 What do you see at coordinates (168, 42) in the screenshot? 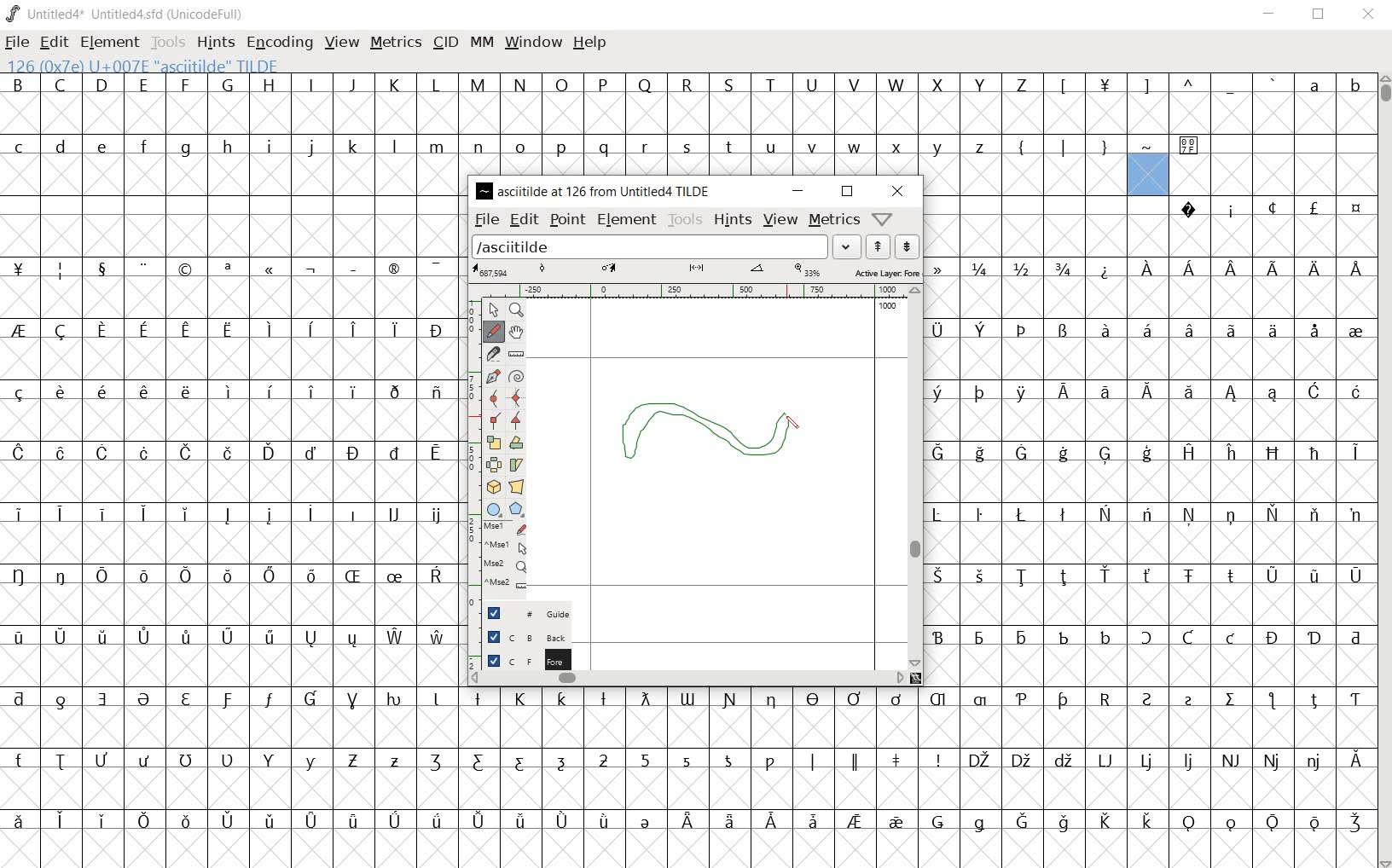
I see `TOOLS` at bounding box center [168, 42].